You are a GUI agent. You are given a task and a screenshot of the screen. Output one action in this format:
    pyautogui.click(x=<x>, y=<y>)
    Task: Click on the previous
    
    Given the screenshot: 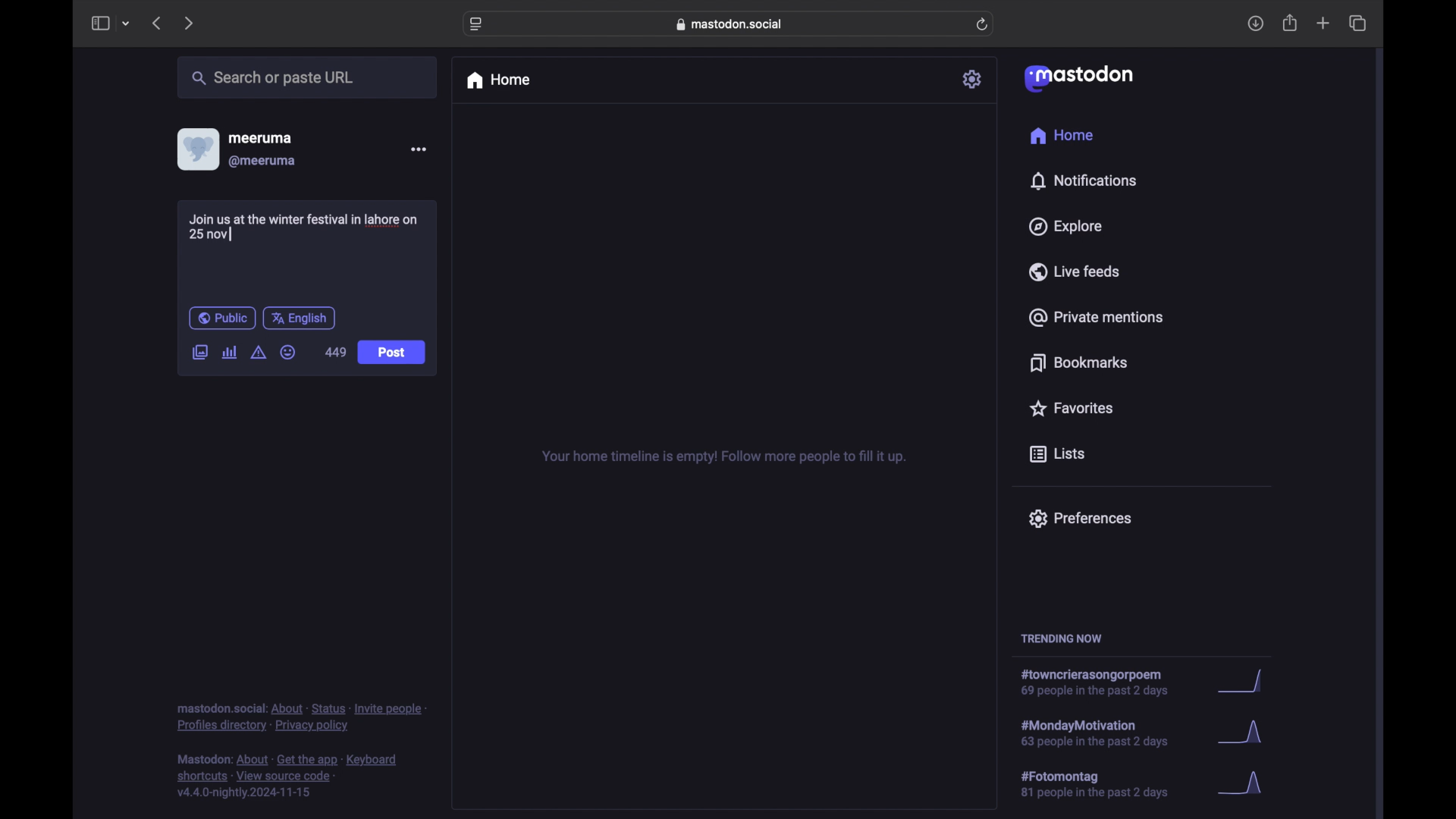 What is the action you would take?
    pyautogui.click(x=156, y=23)
    